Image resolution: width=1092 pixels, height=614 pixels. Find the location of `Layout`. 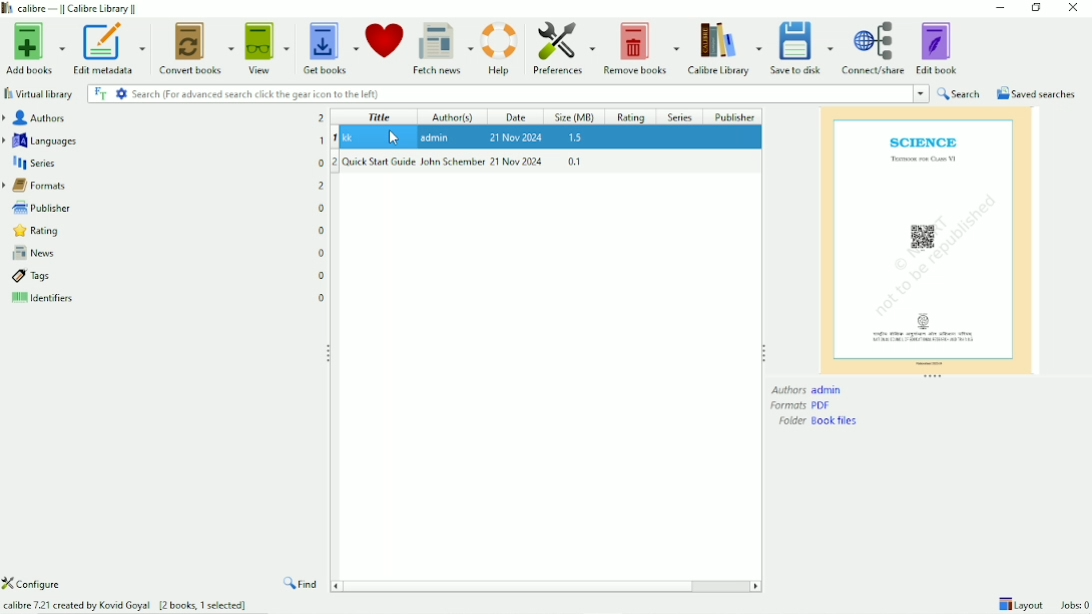

Layout is located at coordinates (1020, 603).